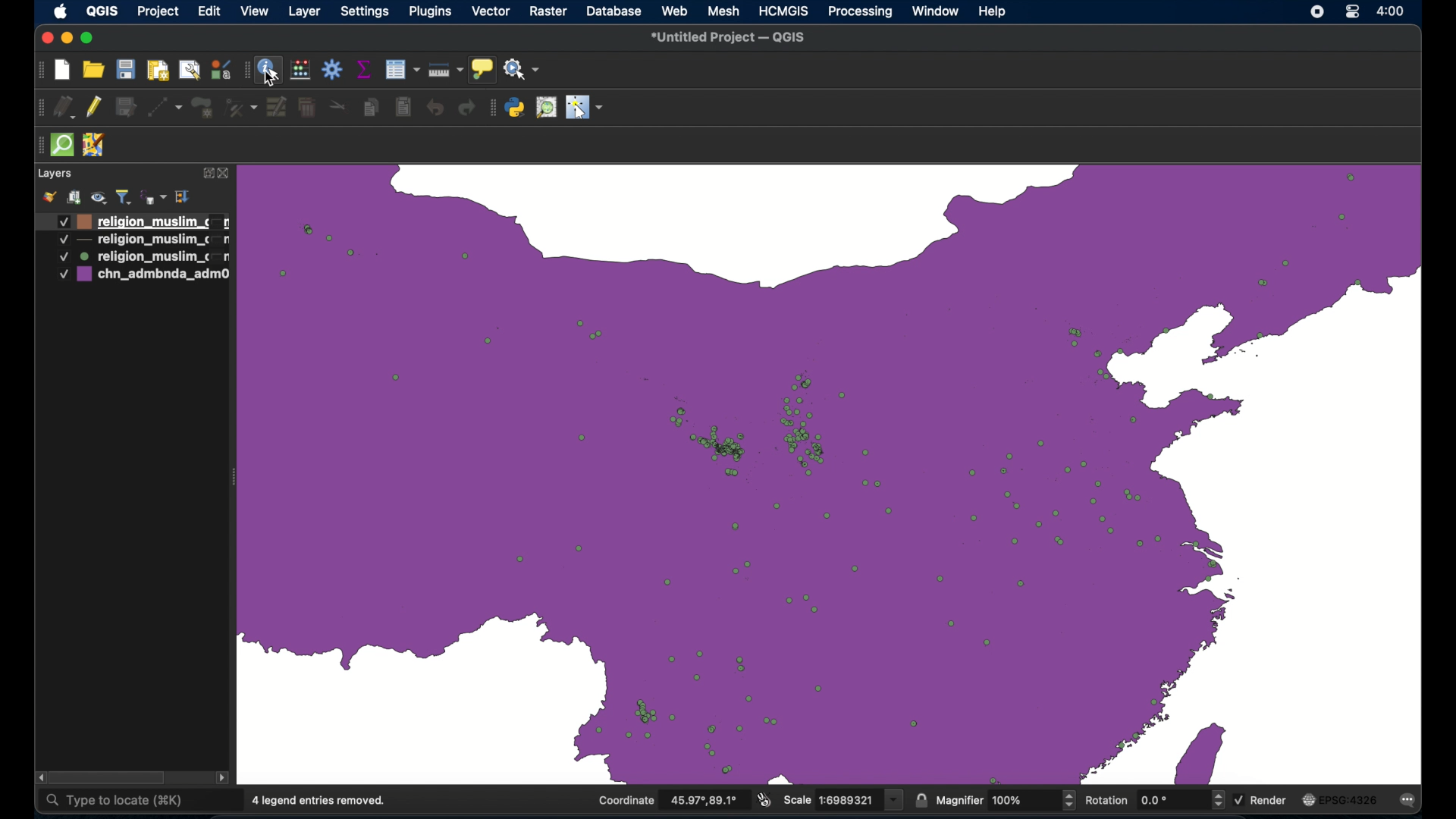 This screenshot has width=1456, height=819. Describe the element at coordinates (727, 39) in the screenshot. I see `untitled project - QGIS` at that location.